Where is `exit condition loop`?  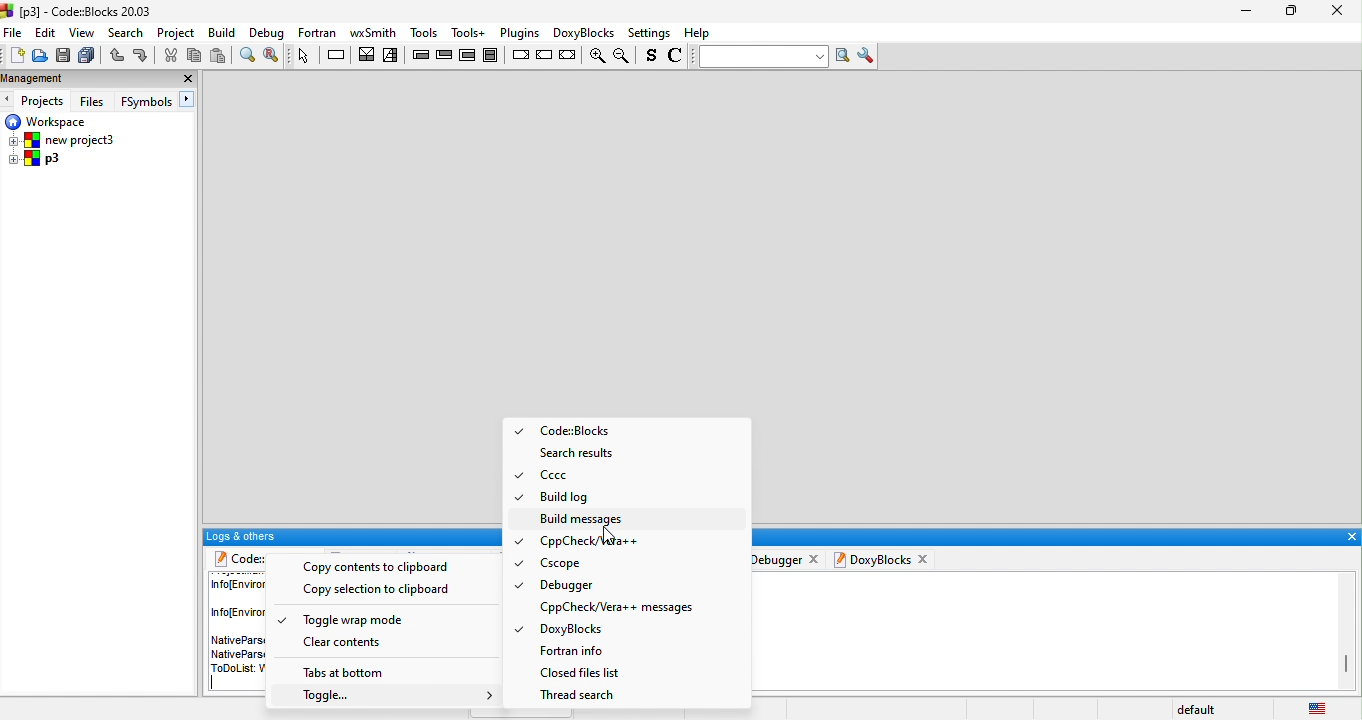 exit condition loop is located at coordinates (445, 55).